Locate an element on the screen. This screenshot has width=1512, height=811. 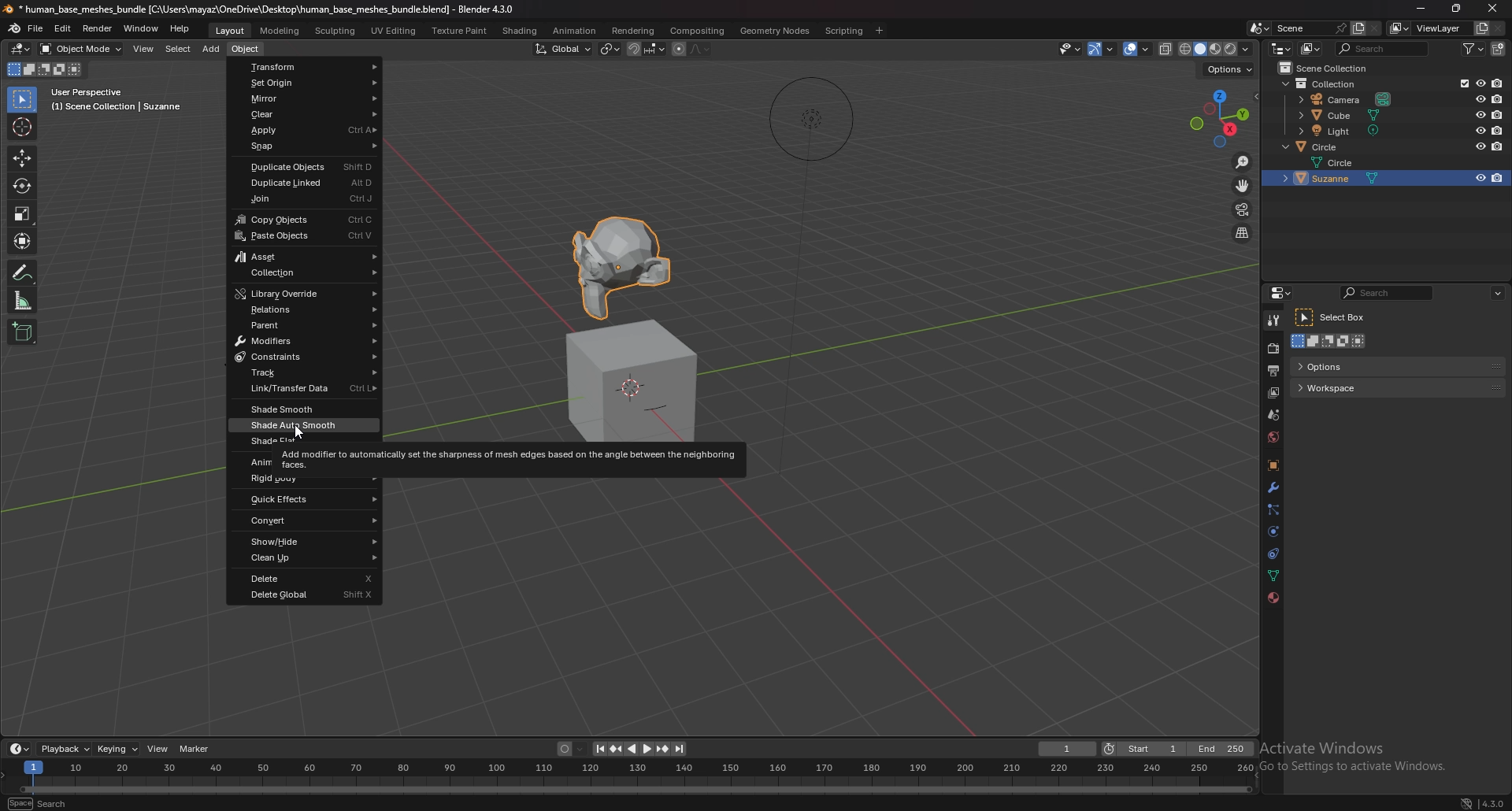
rigid body is located at coordinates (306, 480).